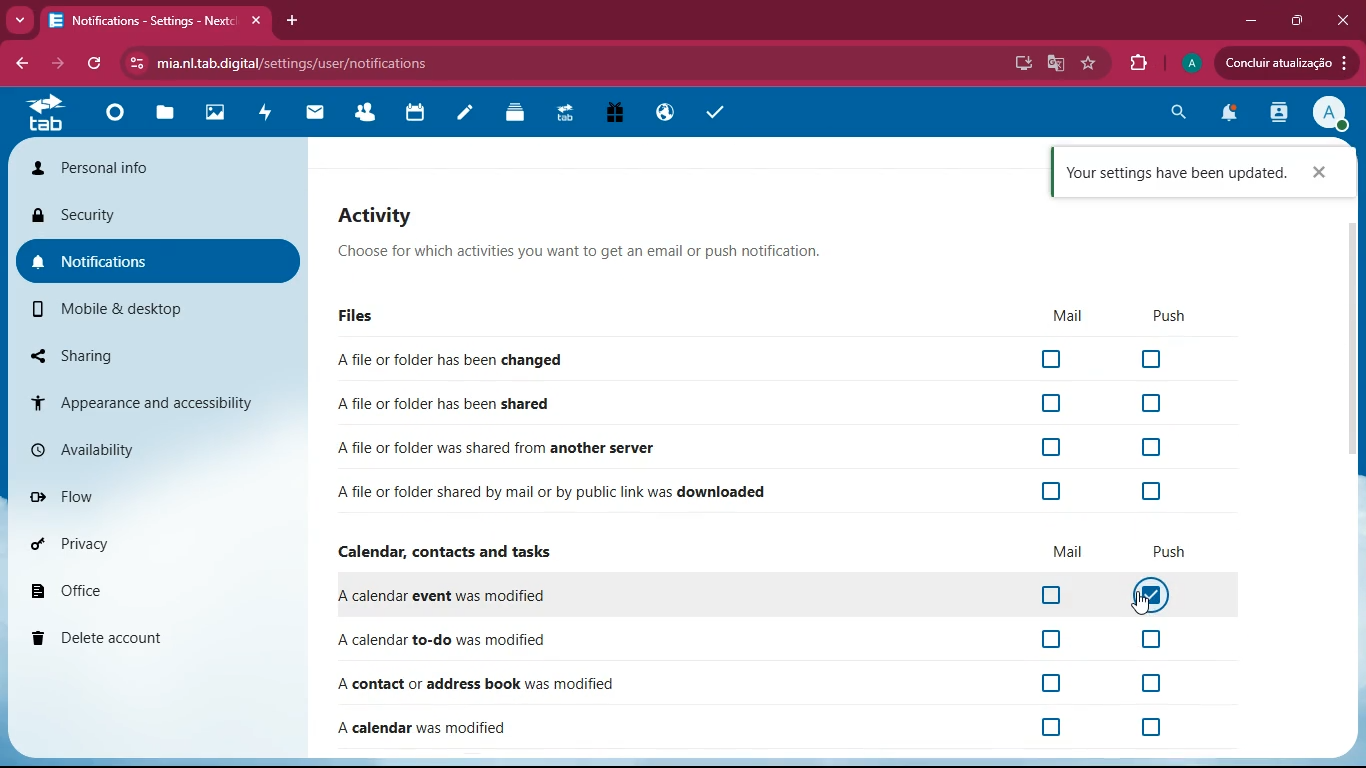 The width and height of the screenshot is (1366, 768). Describe the element at coordinates (1332, 115) in the screenshot. I see `View Profile` at that location.